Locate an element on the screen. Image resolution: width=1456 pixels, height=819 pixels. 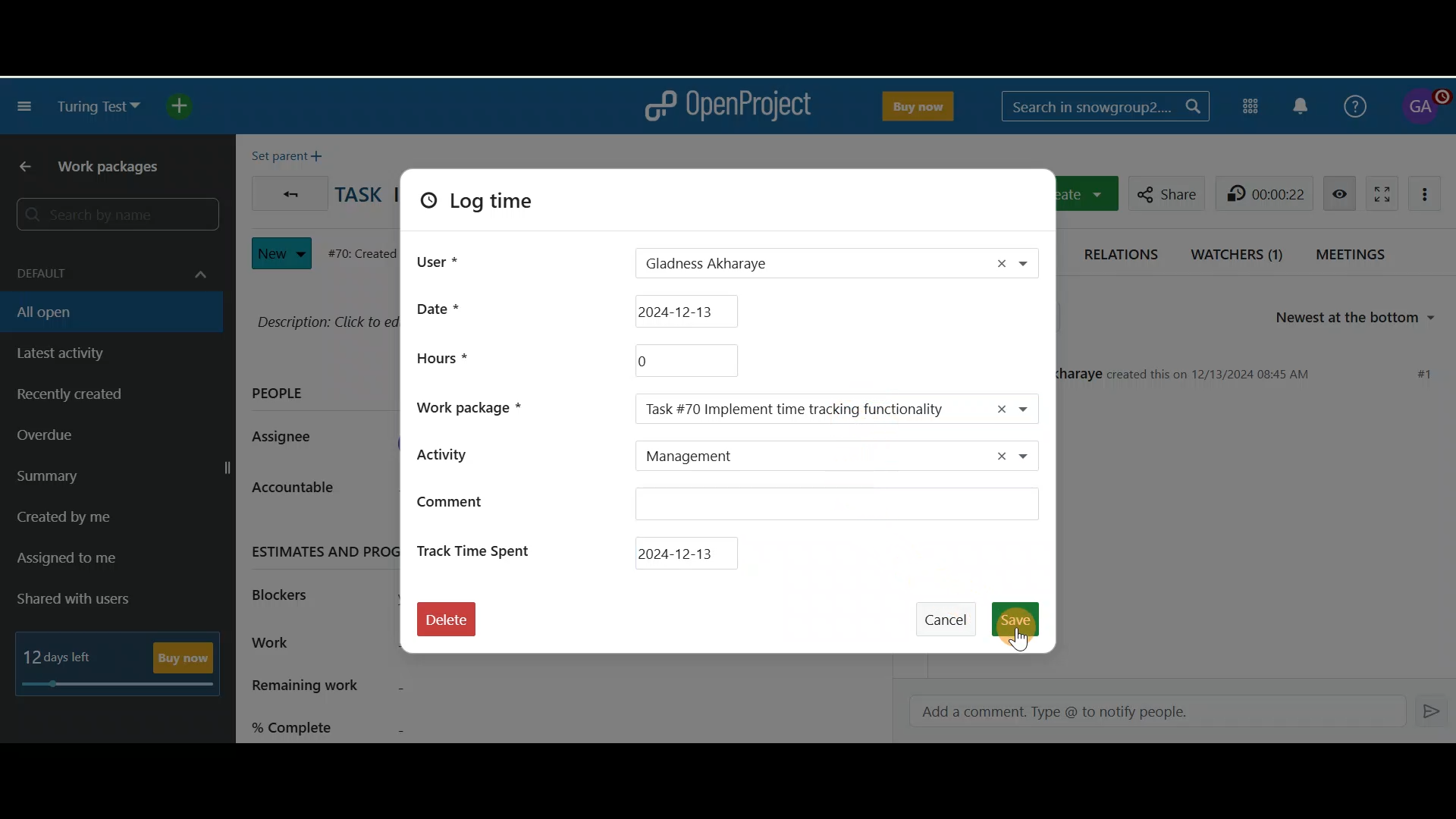
Modules is located at coordinates (1253, 104).